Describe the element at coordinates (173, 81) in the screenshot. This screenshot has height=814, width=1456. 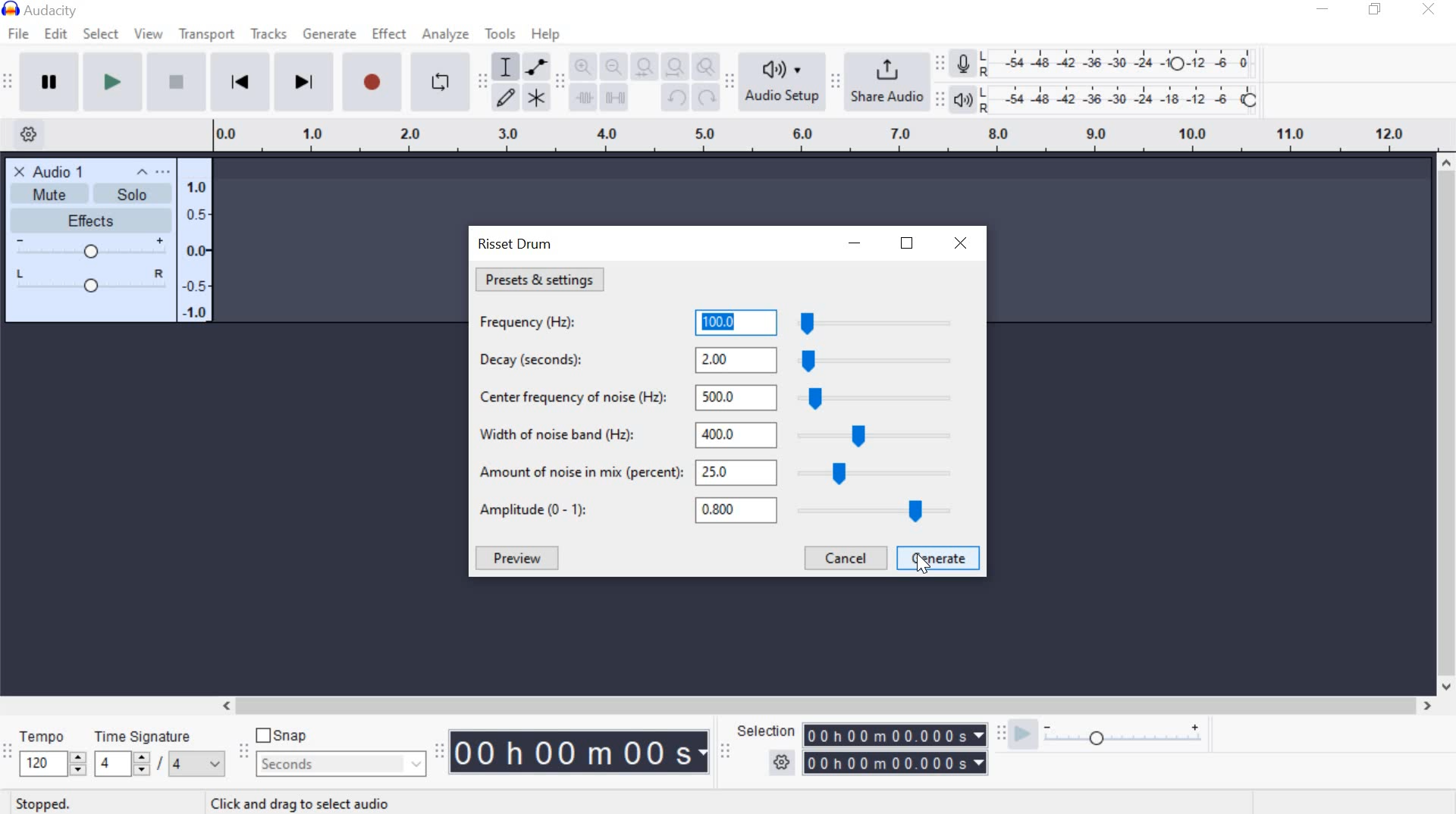
I see `Stop` at that location.